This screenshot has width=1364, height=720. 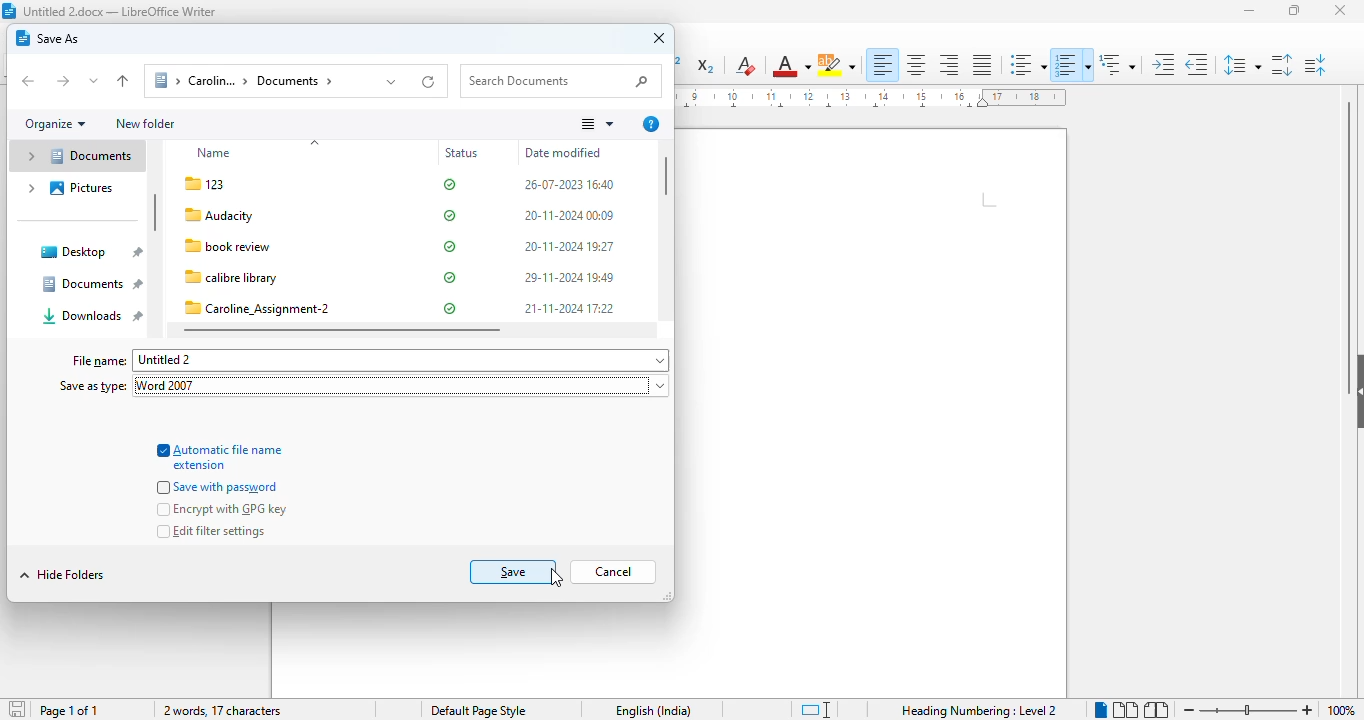 I want to click on hide folders, so click(x=62, y=574).